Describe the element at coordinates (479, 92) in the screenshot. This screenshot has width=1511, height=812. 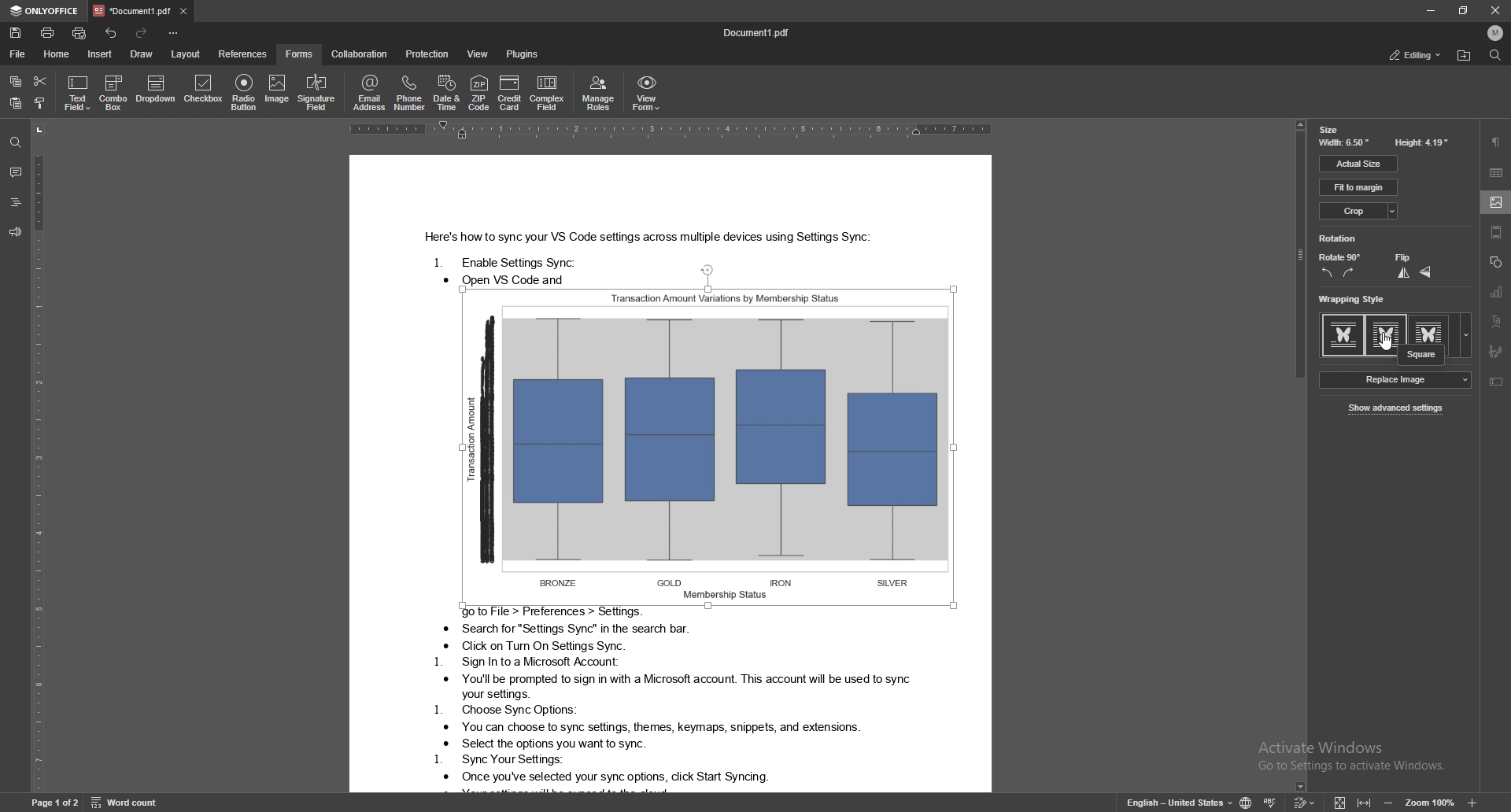
I see `zip code` at that location.